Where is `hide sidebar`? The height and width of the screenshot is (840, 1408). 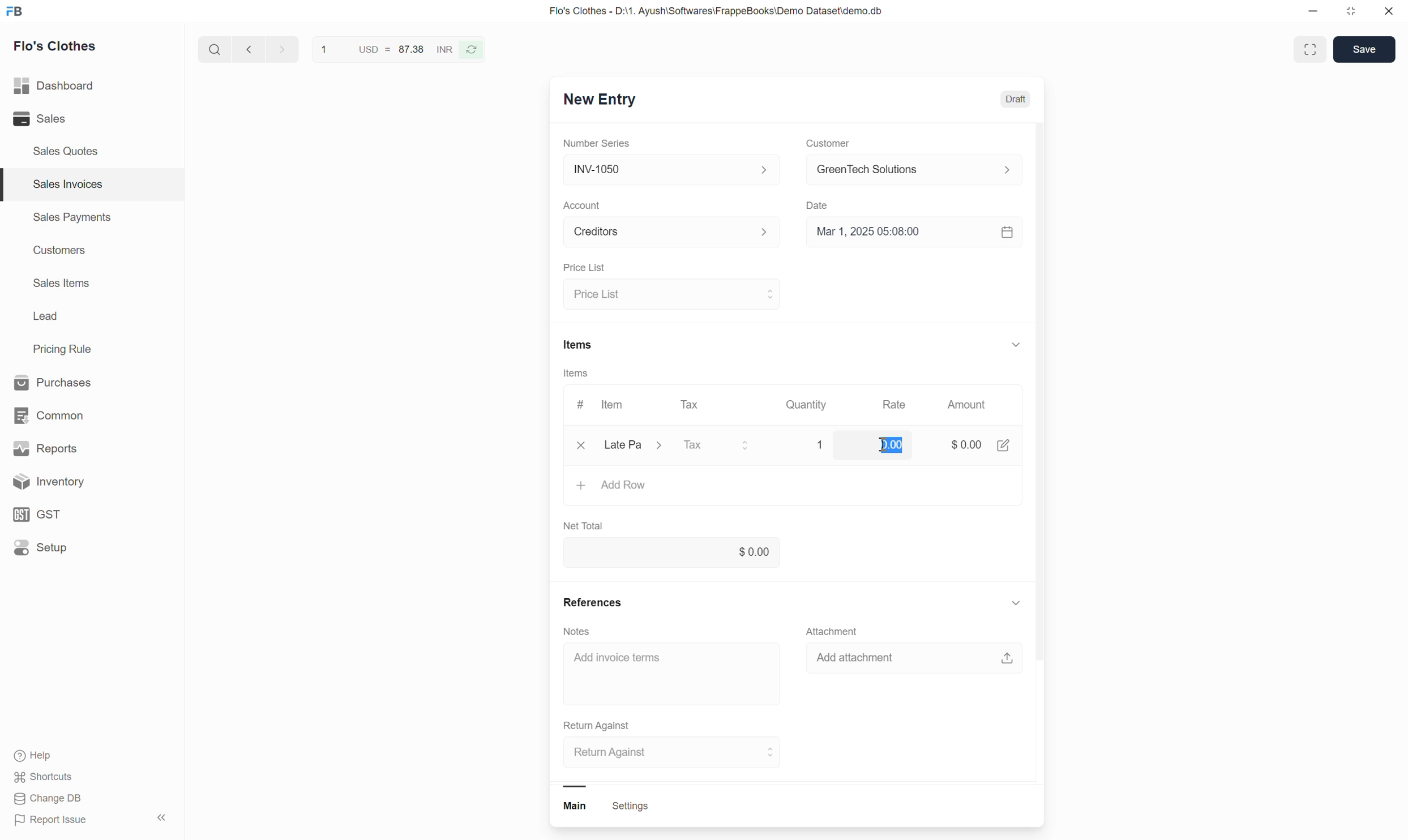
hide sidebar is located at coordinates (163, 818).